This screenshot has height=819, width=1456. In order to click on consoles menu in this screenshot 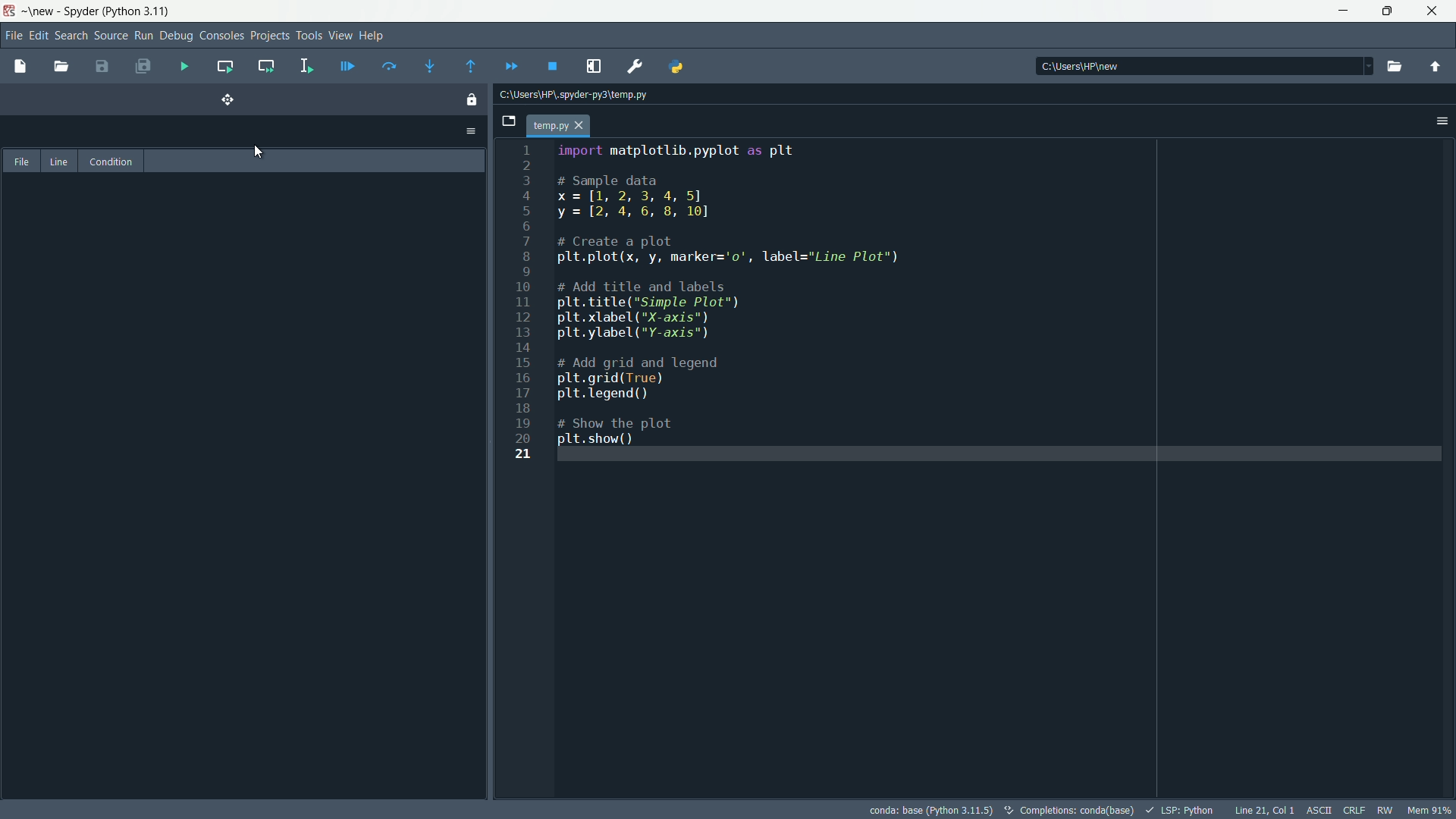, I will do `click(221, 35)`.